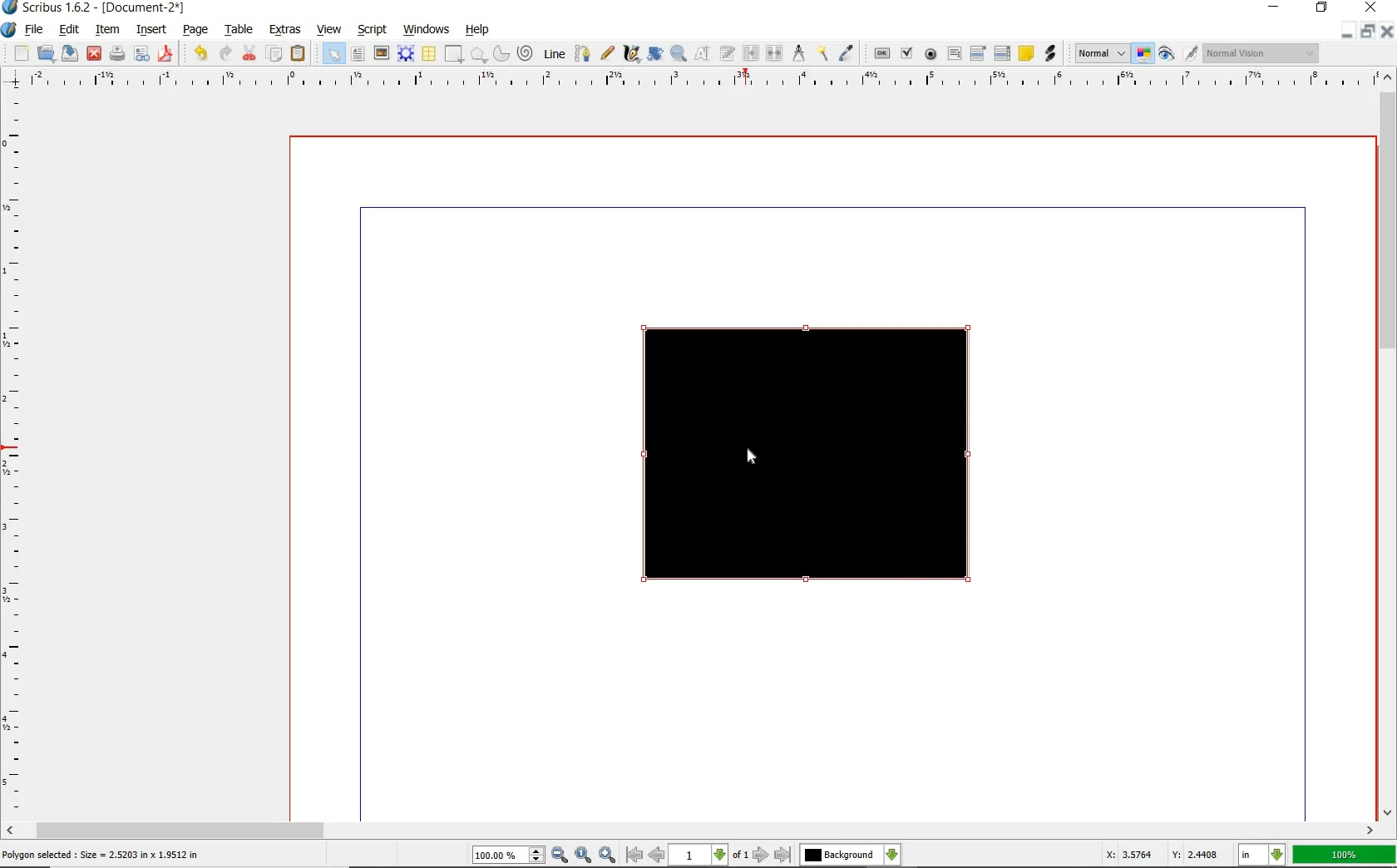  Describe the element at coordinates (696, 81) in the screenshot. I see `ruler` at that location.